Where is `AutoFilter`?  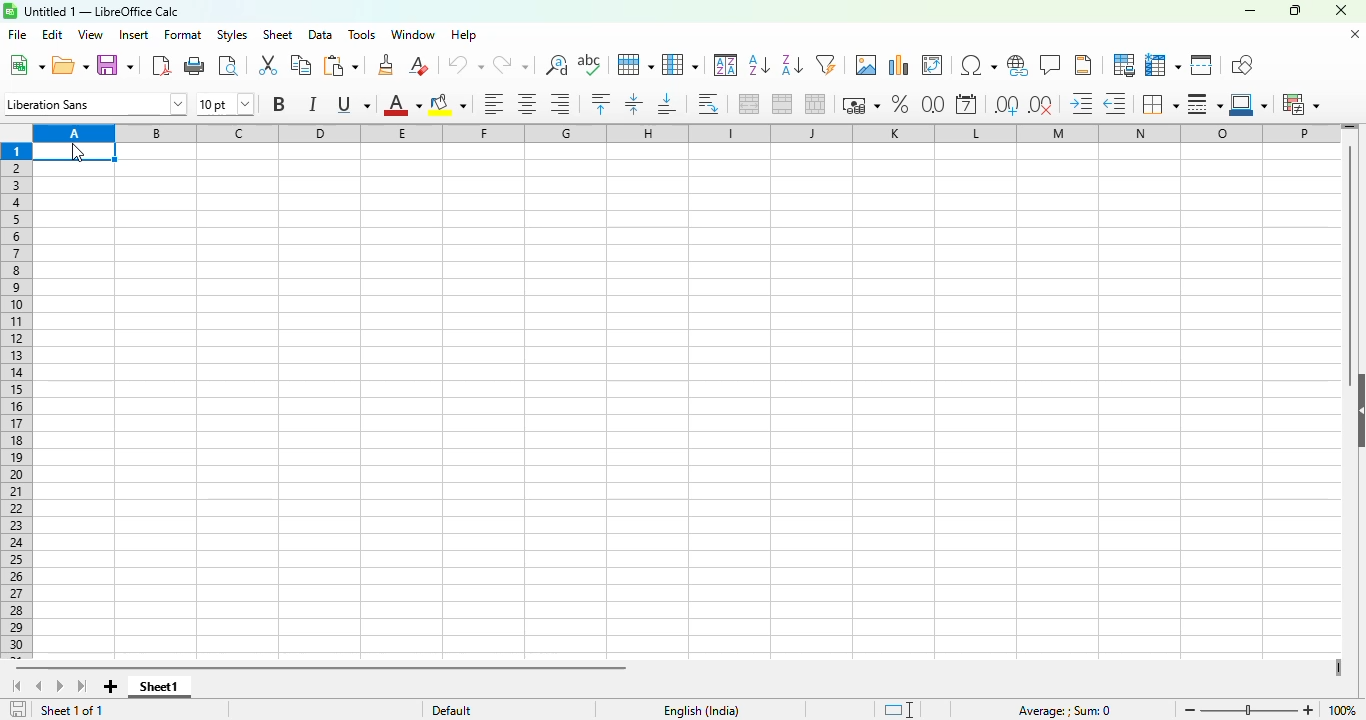 AutoFilter is located at coordinates (826, 64).